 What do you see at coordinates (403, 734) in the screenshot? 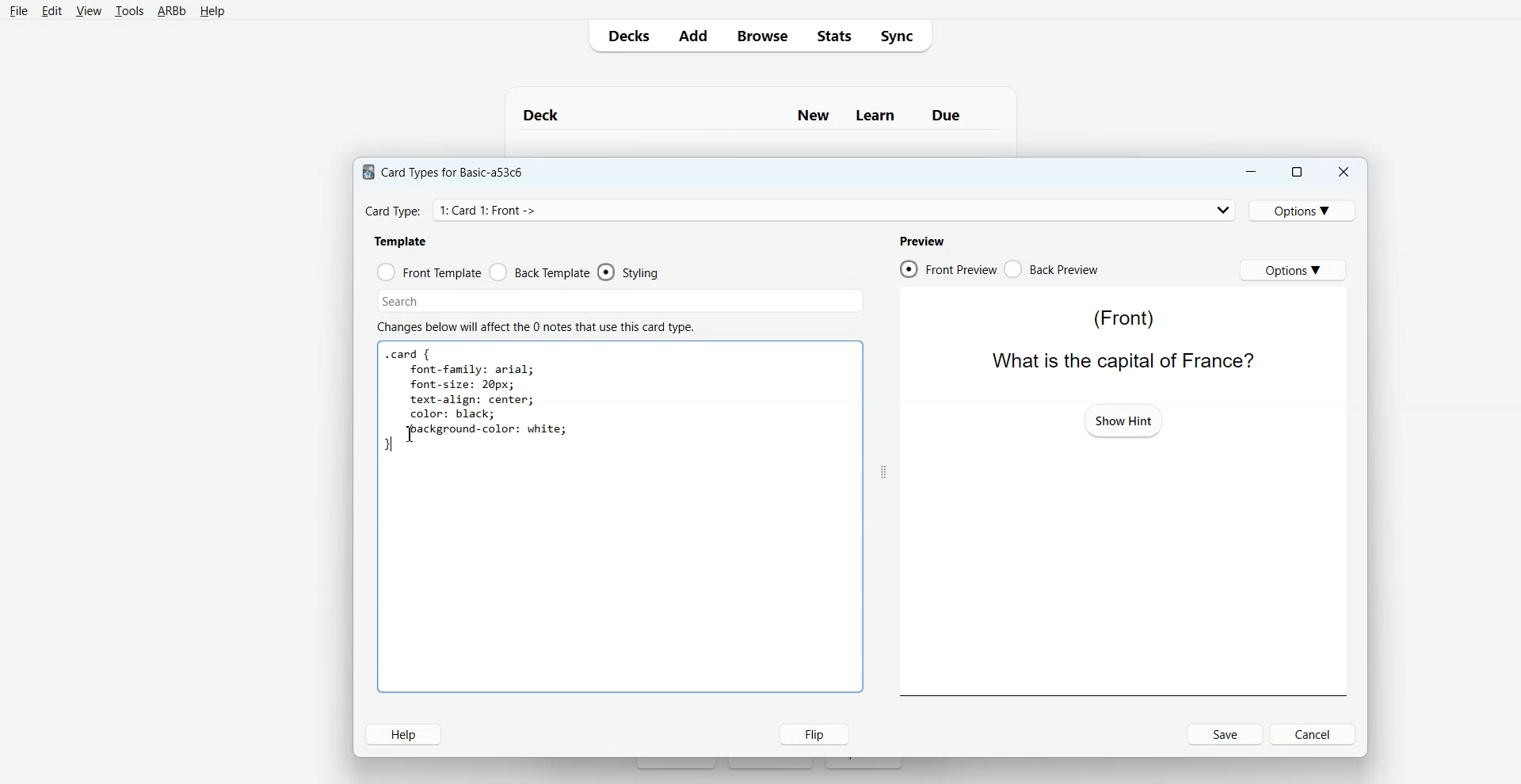
I see `Help` at bounding box center [403, 734].